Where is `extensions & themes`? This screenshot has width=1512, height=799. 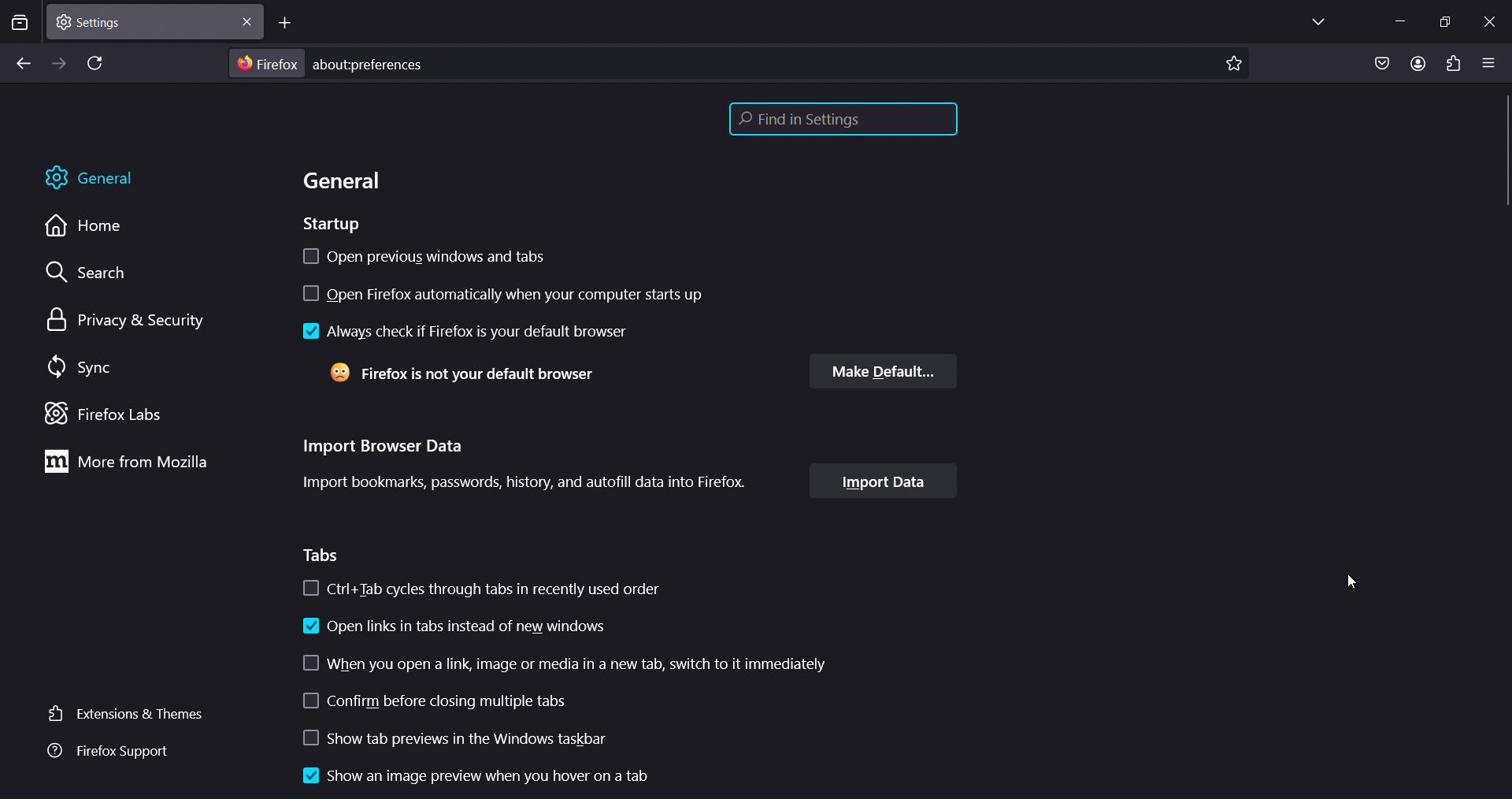
extensions & themes is located at coordinates (127, 715).